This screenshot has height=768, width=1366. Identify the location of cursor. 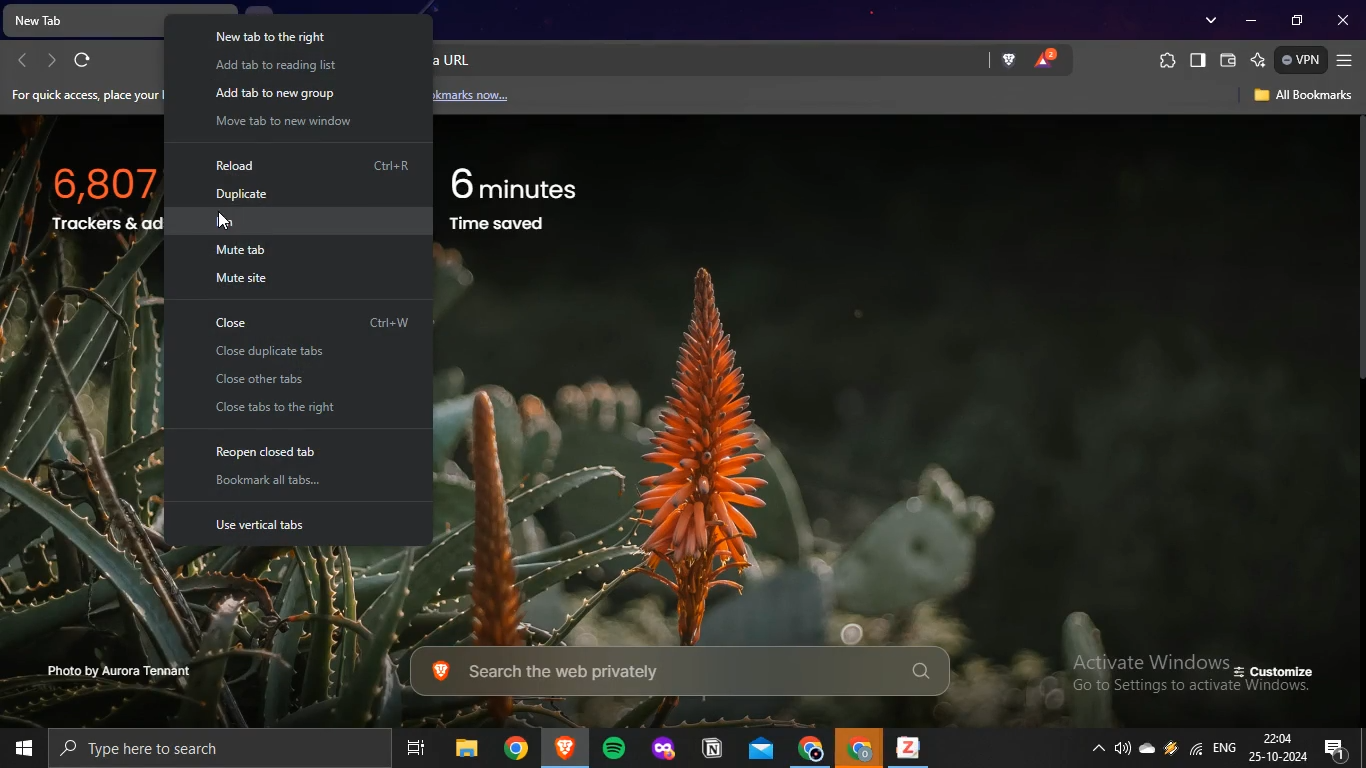
(227, 225).